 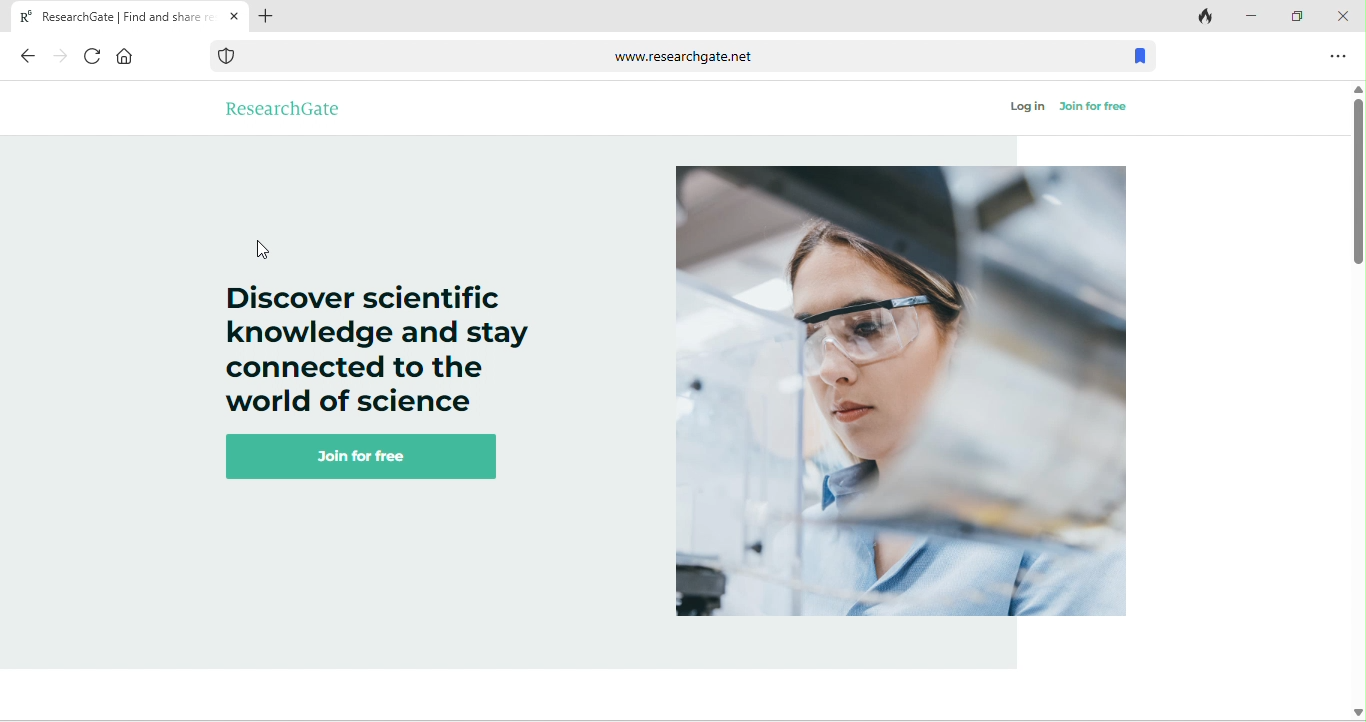 I want to click on track tab, so click(x=1197, y=14).